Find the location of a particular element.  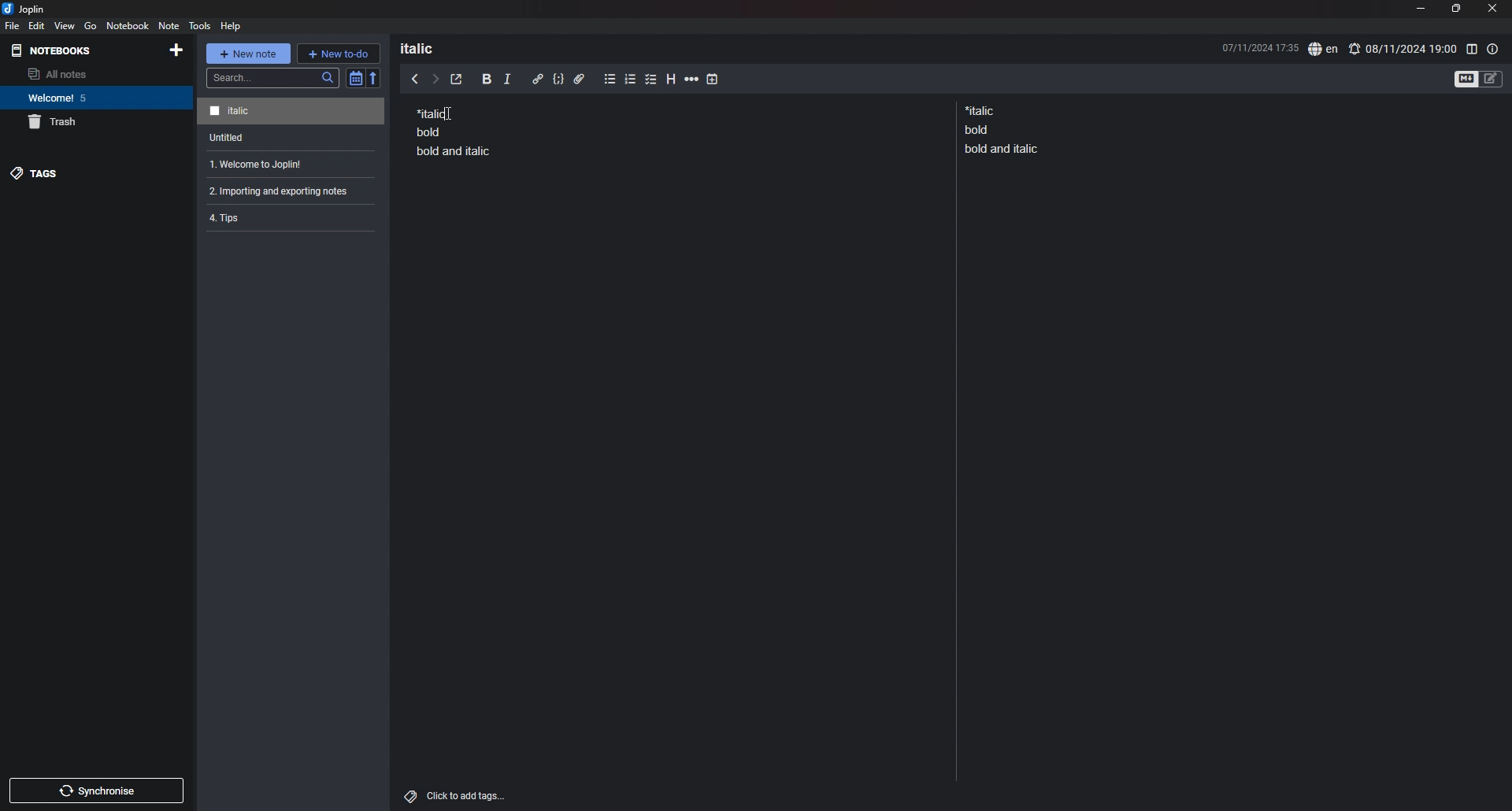

note is located at coordinates (287, 165).